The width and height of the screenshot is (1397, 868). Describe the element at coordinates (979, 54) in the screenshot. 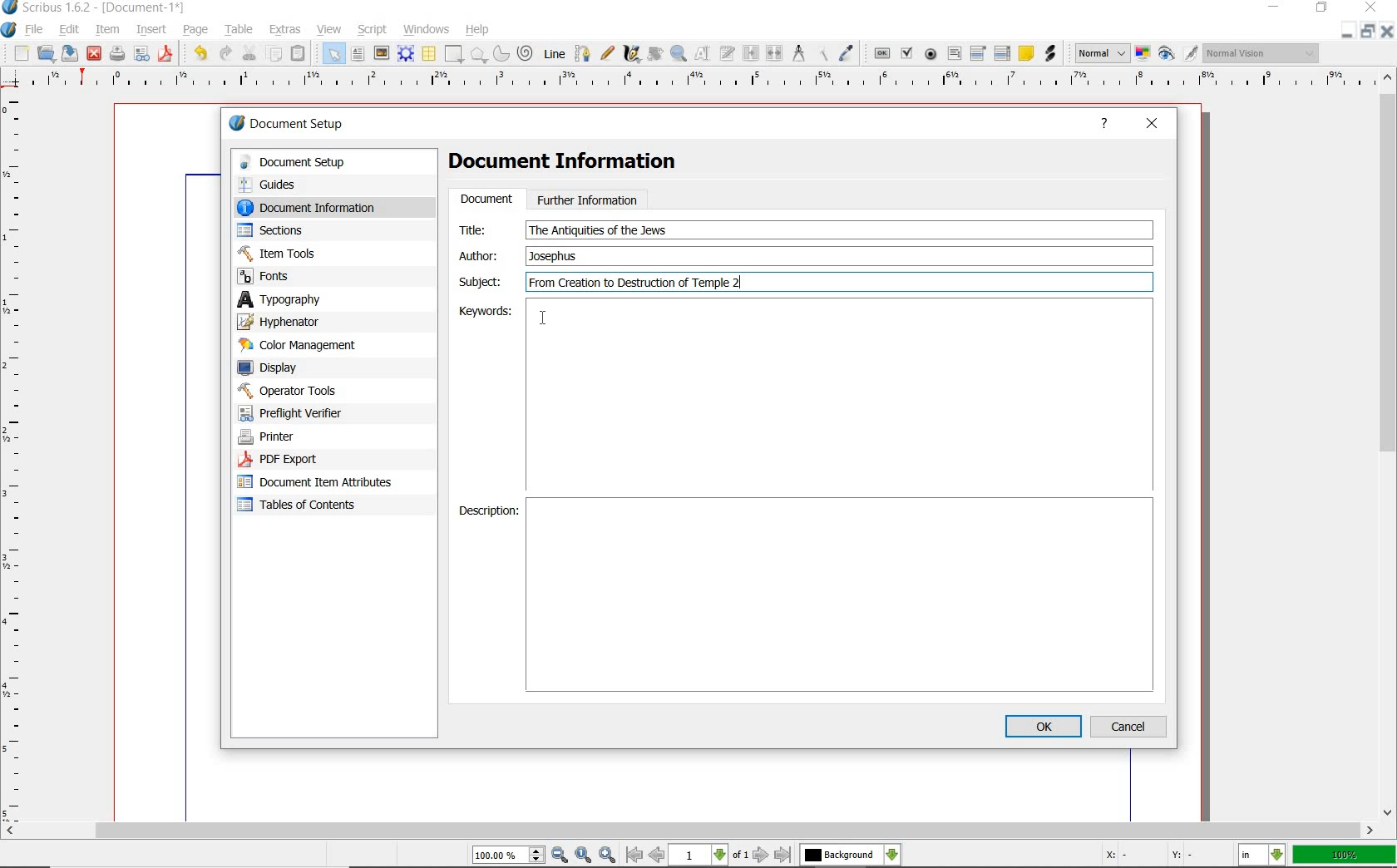

I see `pdf combo box` at that location.